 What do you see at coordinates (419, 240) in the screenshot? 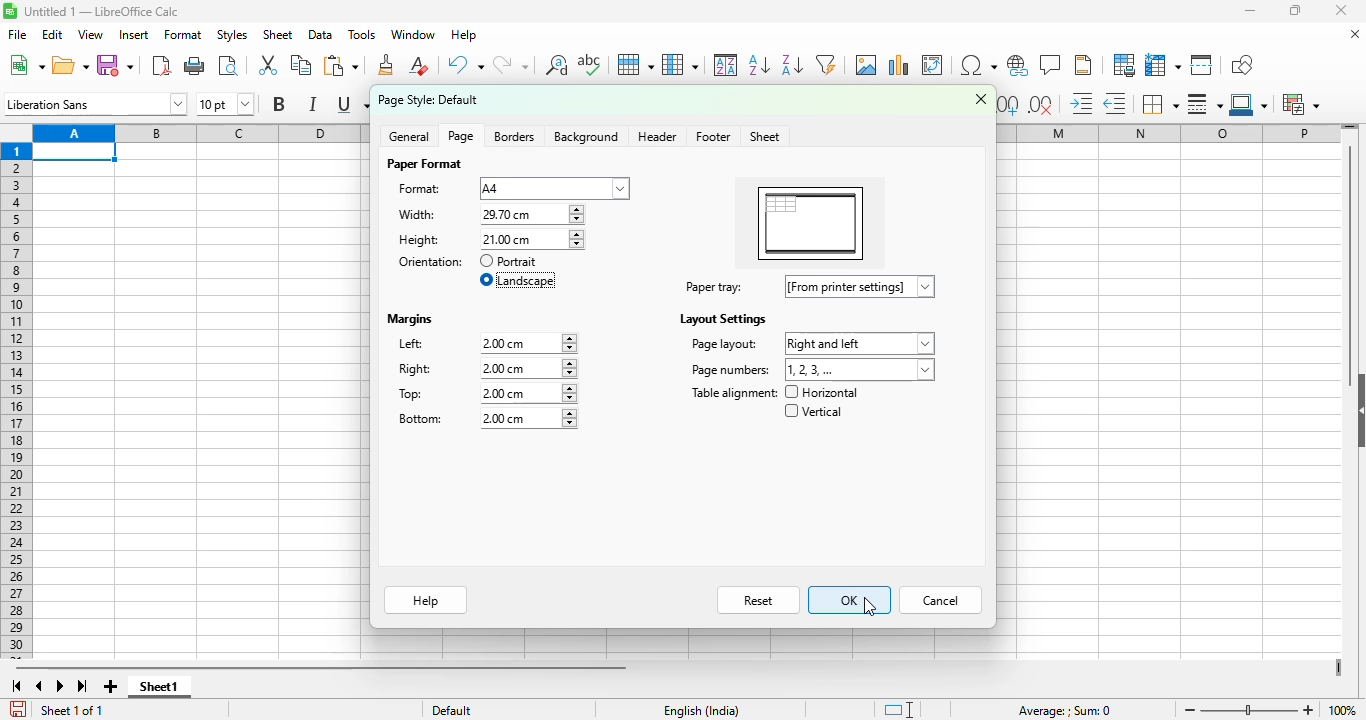
I see `height: ` at bounding box center [419, 240].